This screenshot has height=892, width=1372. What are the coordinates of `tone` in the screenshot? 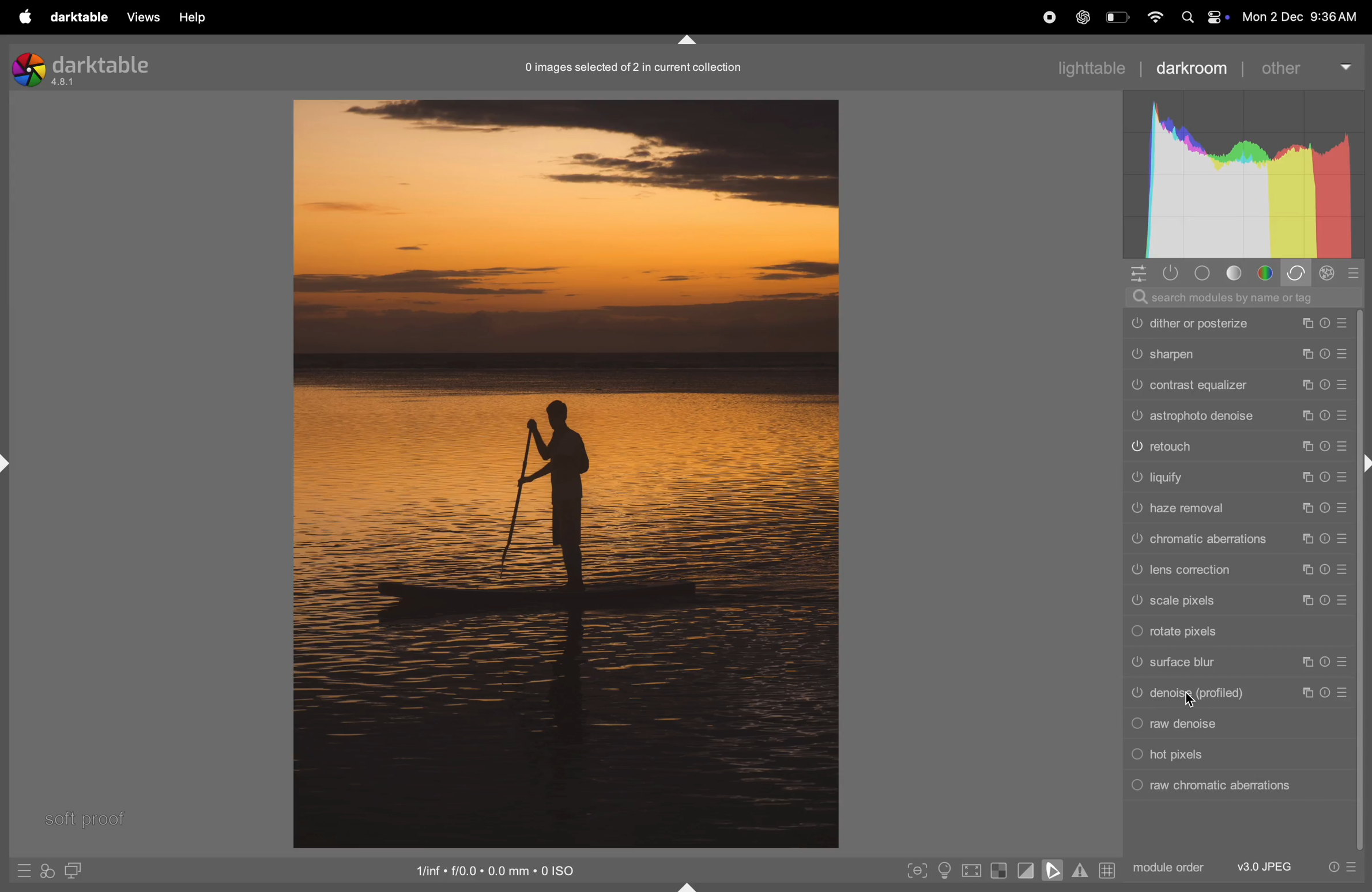 It's located at (1235, 274).